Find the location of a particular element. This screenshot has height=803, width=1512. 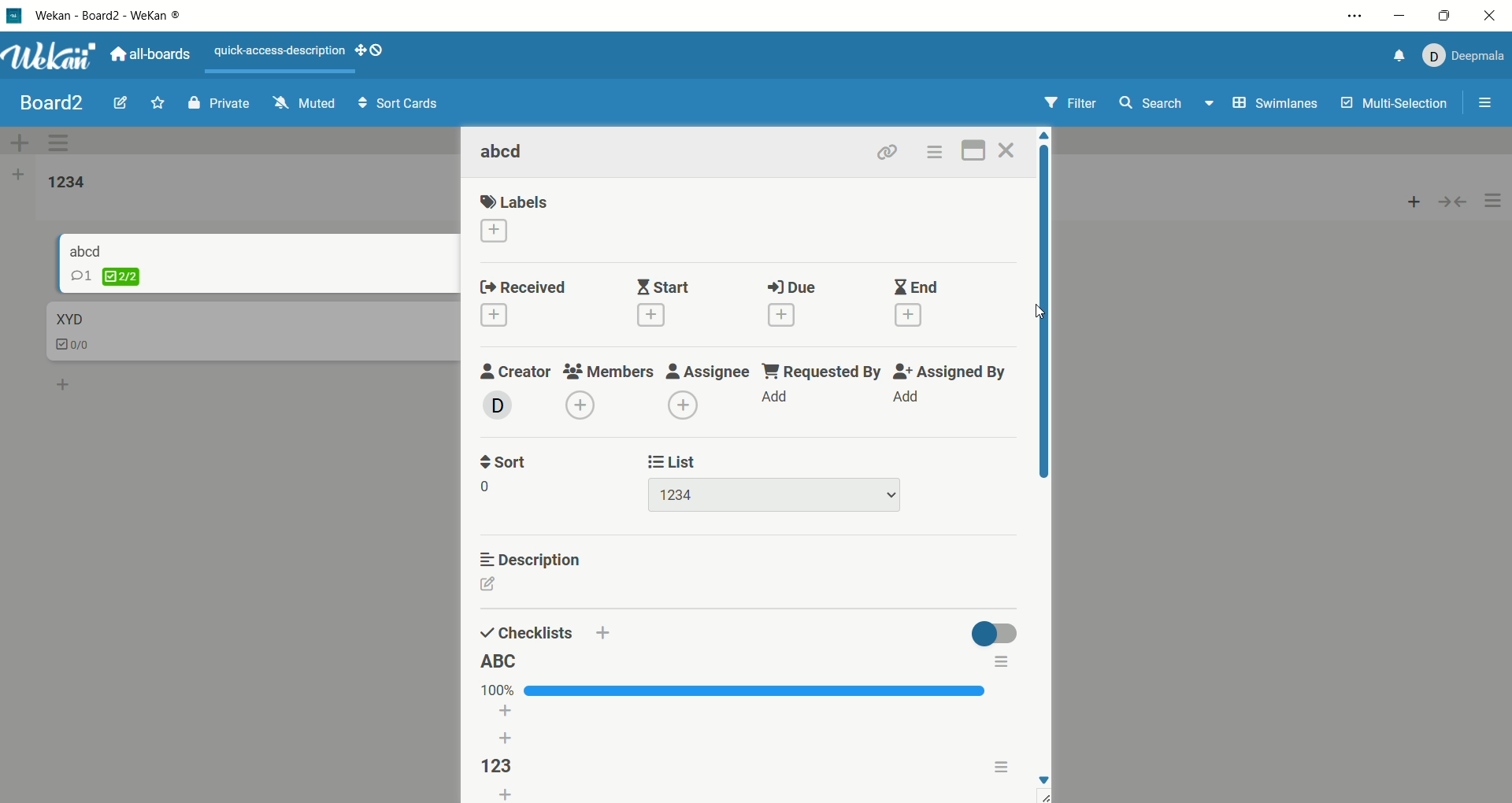

multi-selection is located at coordinates (1396, 104).